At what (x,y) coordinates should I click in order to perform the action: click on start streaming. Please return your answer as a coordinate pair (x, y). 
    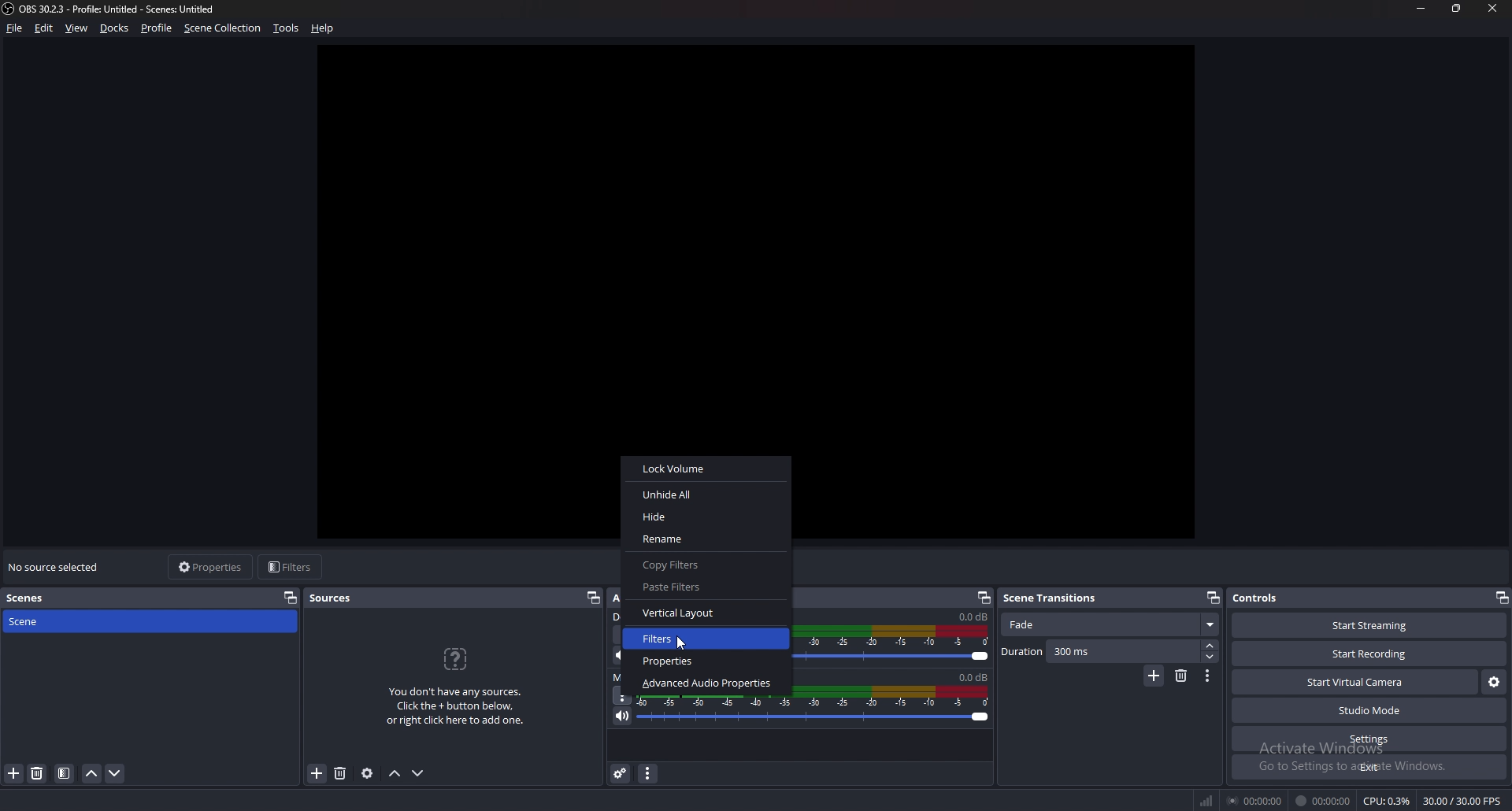
    Looking at the image, I should click on (1369, 626).